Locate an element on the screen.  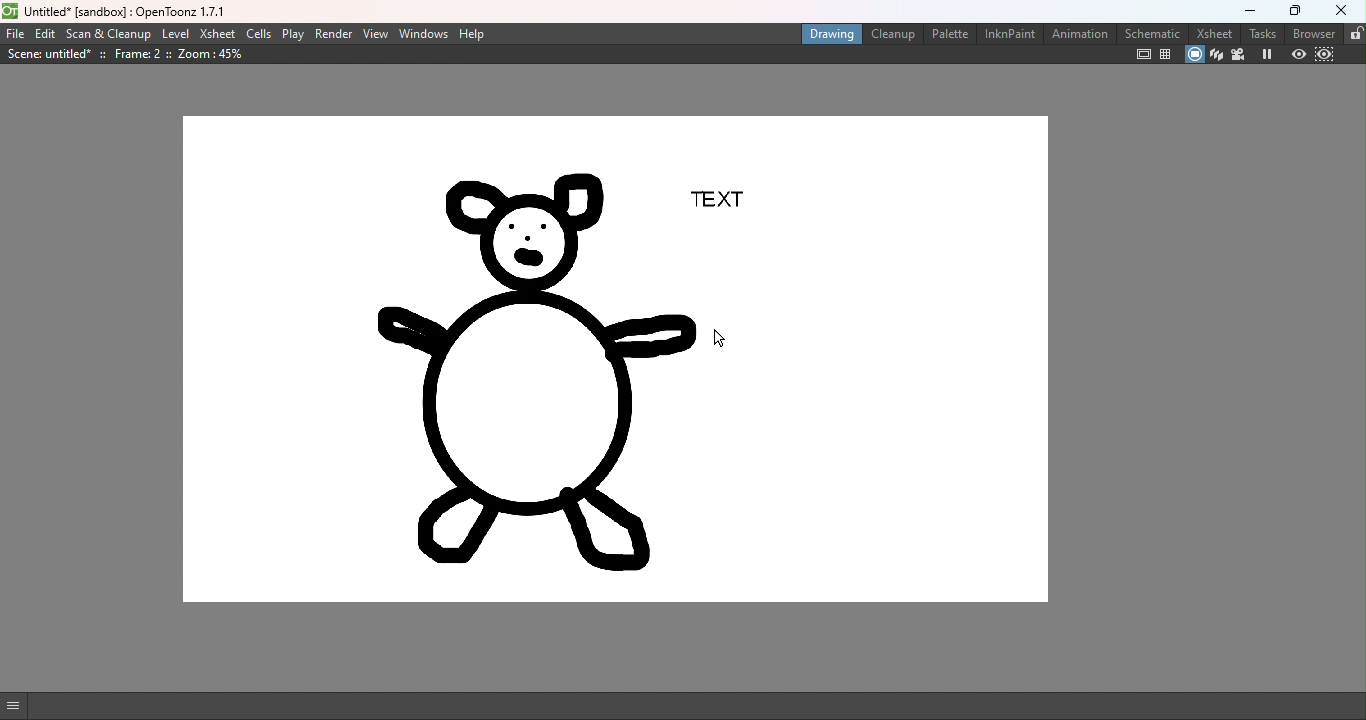
Cells is located at coordinates (257, 33).